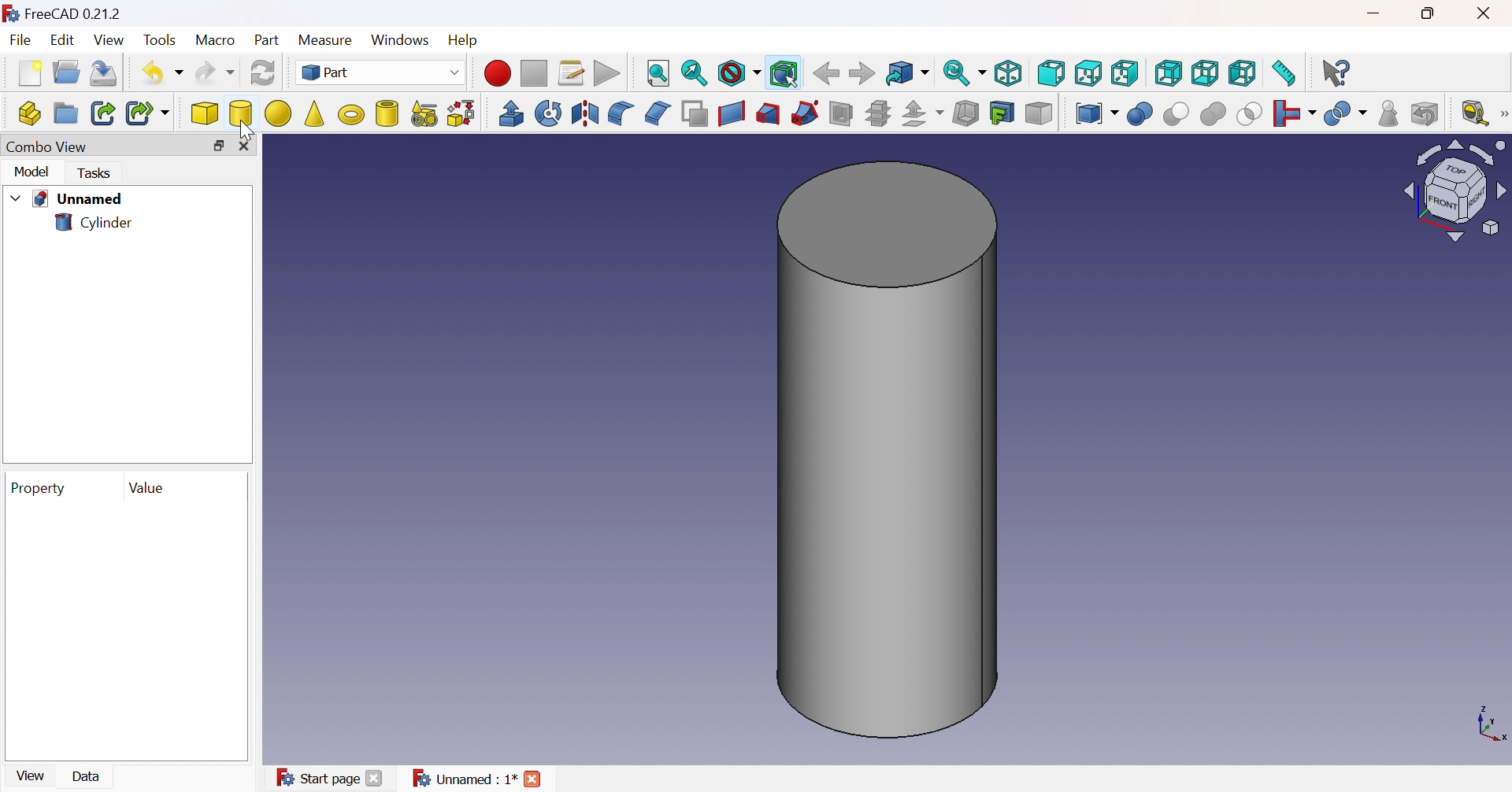  I want to click on Sweep, so click(803, 114).